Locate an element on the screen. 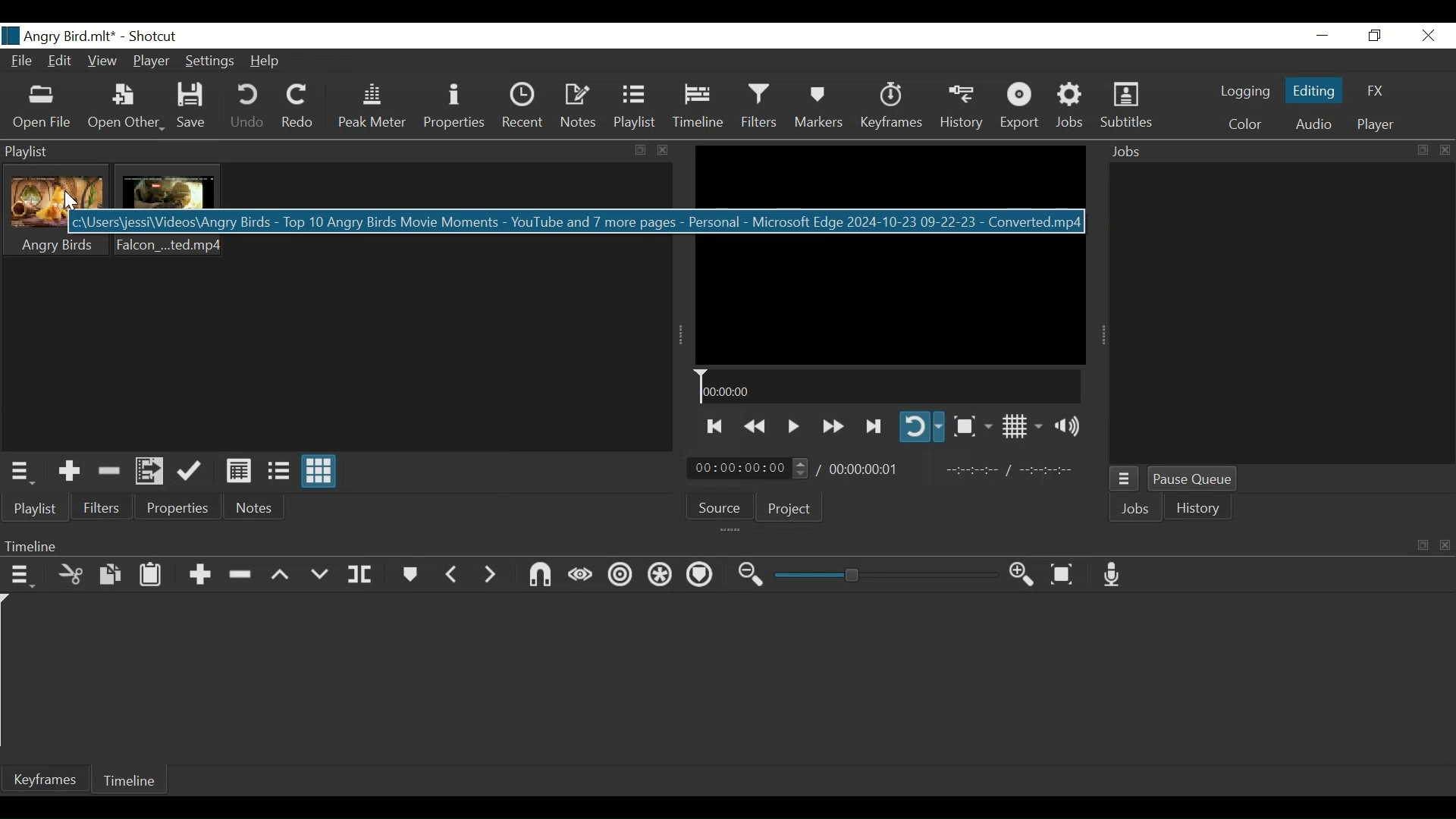  Playlist Panel is located at coordinates (333, 152).